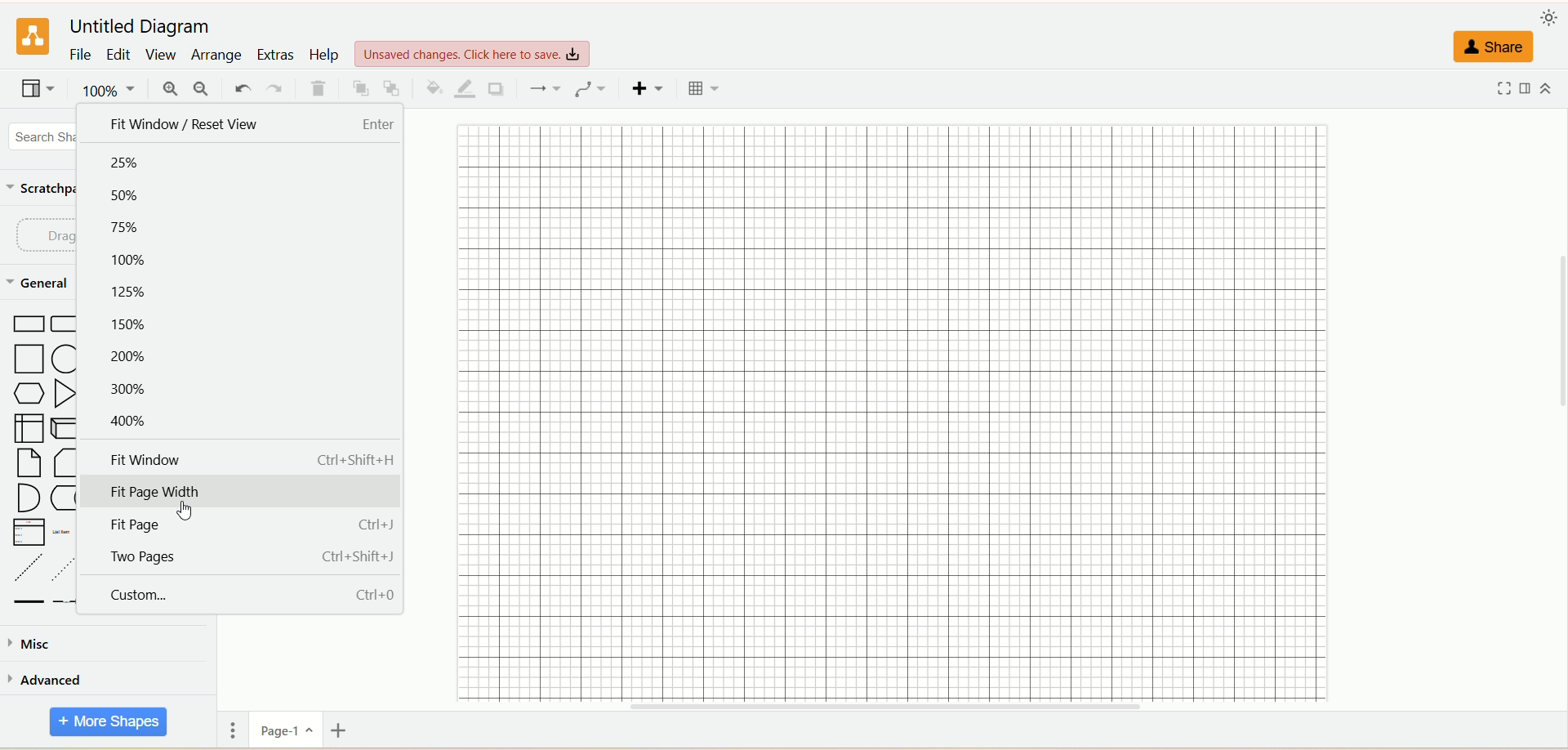 This screenshot has width=1568, height=750. What do you see at coordinates (47, 137) in the screenshot?
I see `Search She` at bounding box center [47, 137].